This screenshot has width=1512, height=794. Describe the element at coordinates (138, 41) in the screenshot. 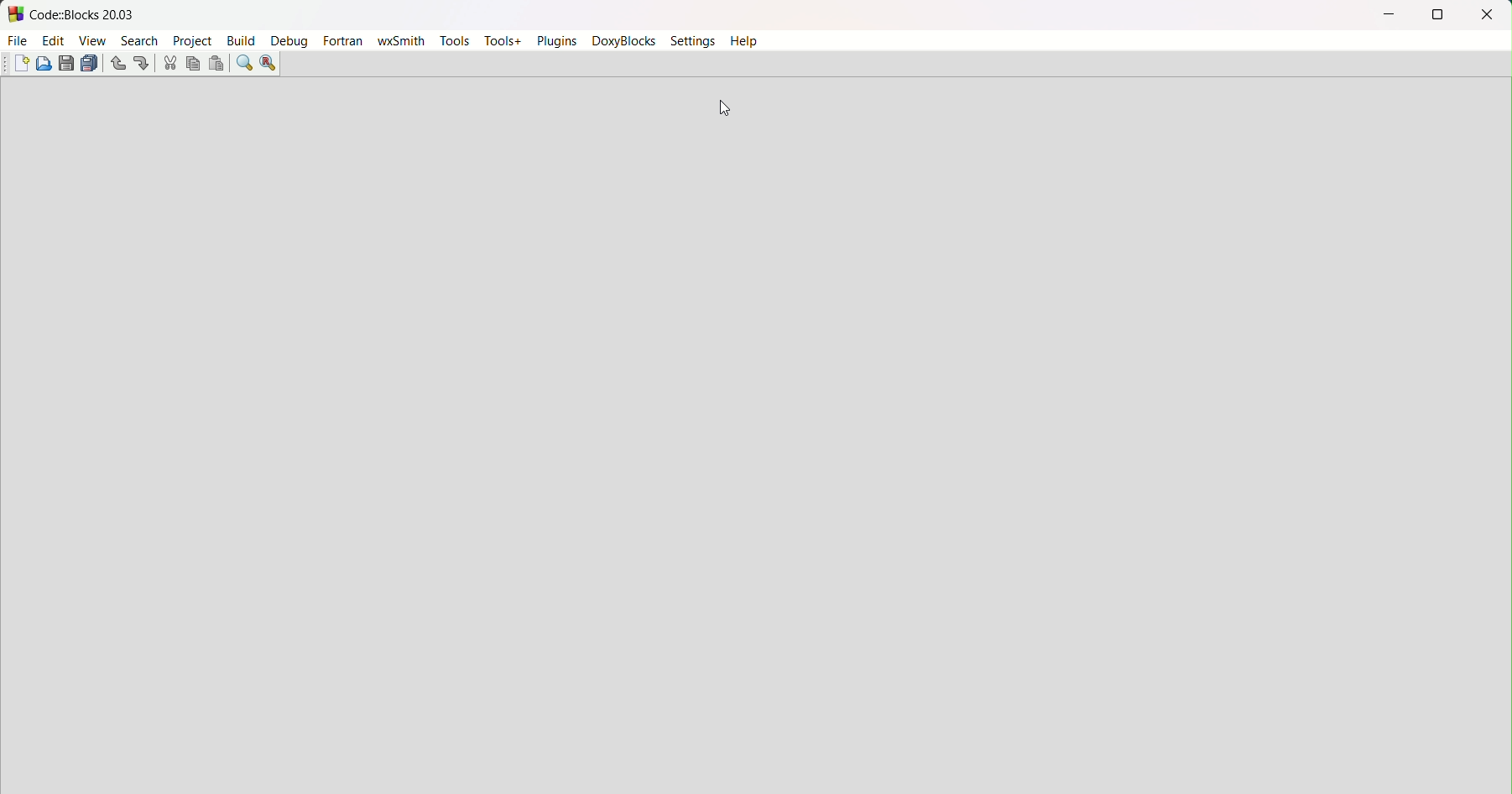

I see `search` at that location.